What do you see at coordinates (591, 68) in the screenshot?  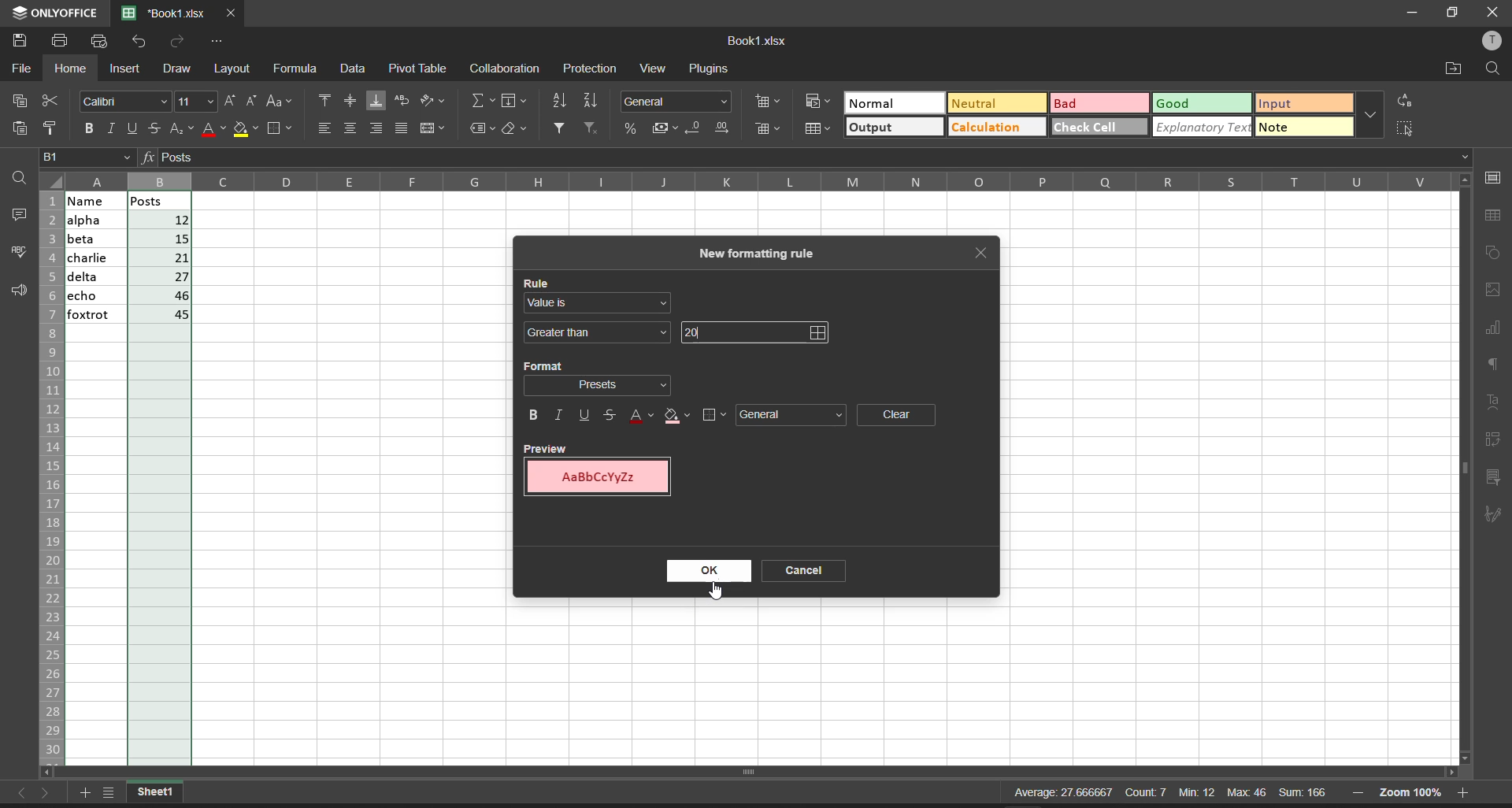 I see `protection` at bounding box center [591, 68].